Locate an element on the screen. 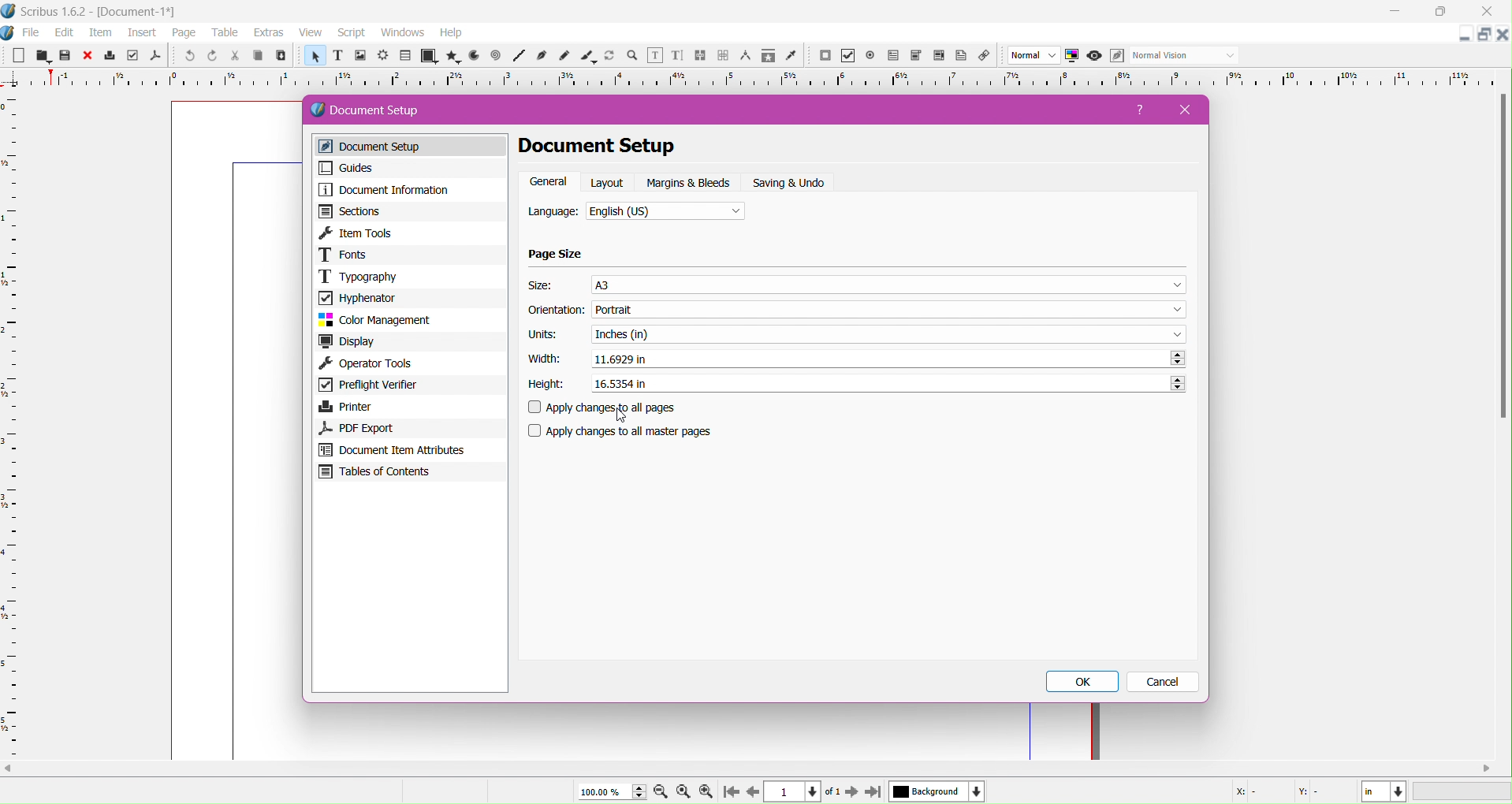 The width and height of the screenshot is (1512, 804). PDF Export is located at coordinates (407, 428).